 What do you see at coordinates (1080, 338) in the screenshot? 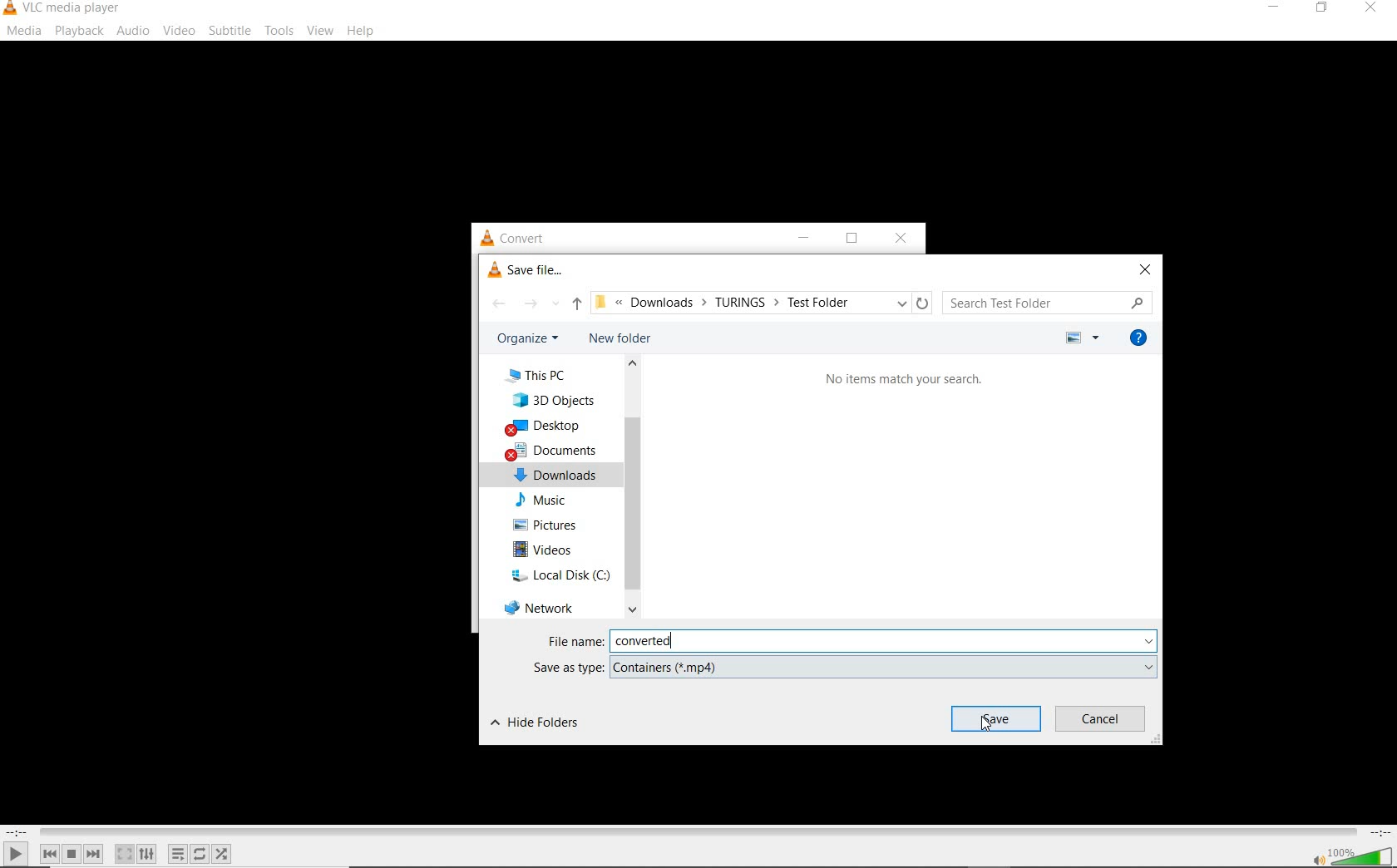
I see `more options` at bounding box center [1080, 338].